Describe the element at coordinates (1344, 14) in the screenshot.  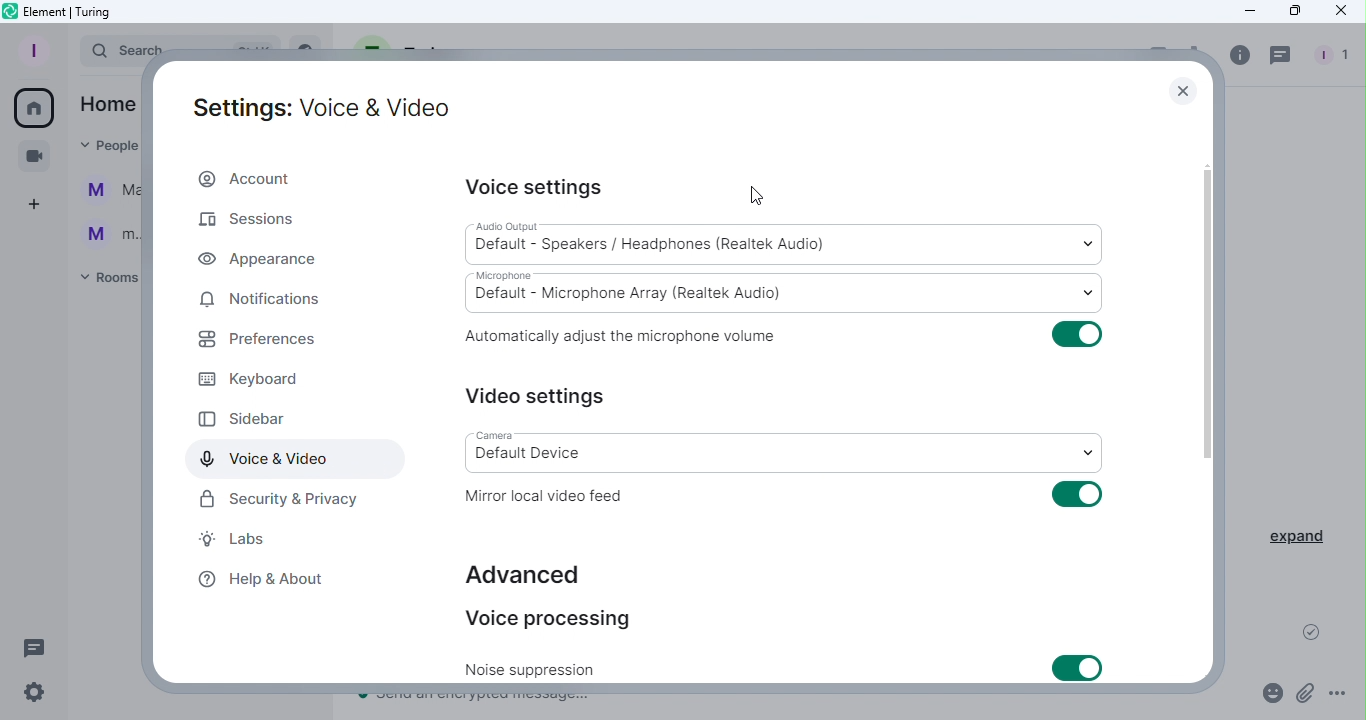
I see `Close` at that location.